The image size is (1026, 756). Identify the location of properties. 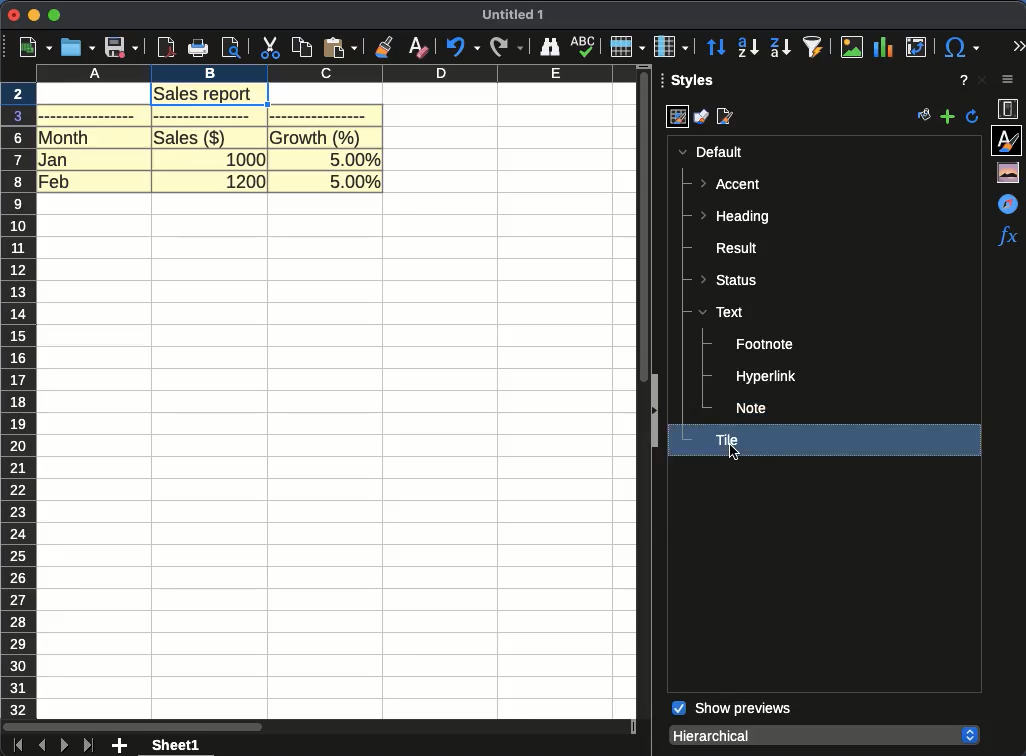
(1011, 110).